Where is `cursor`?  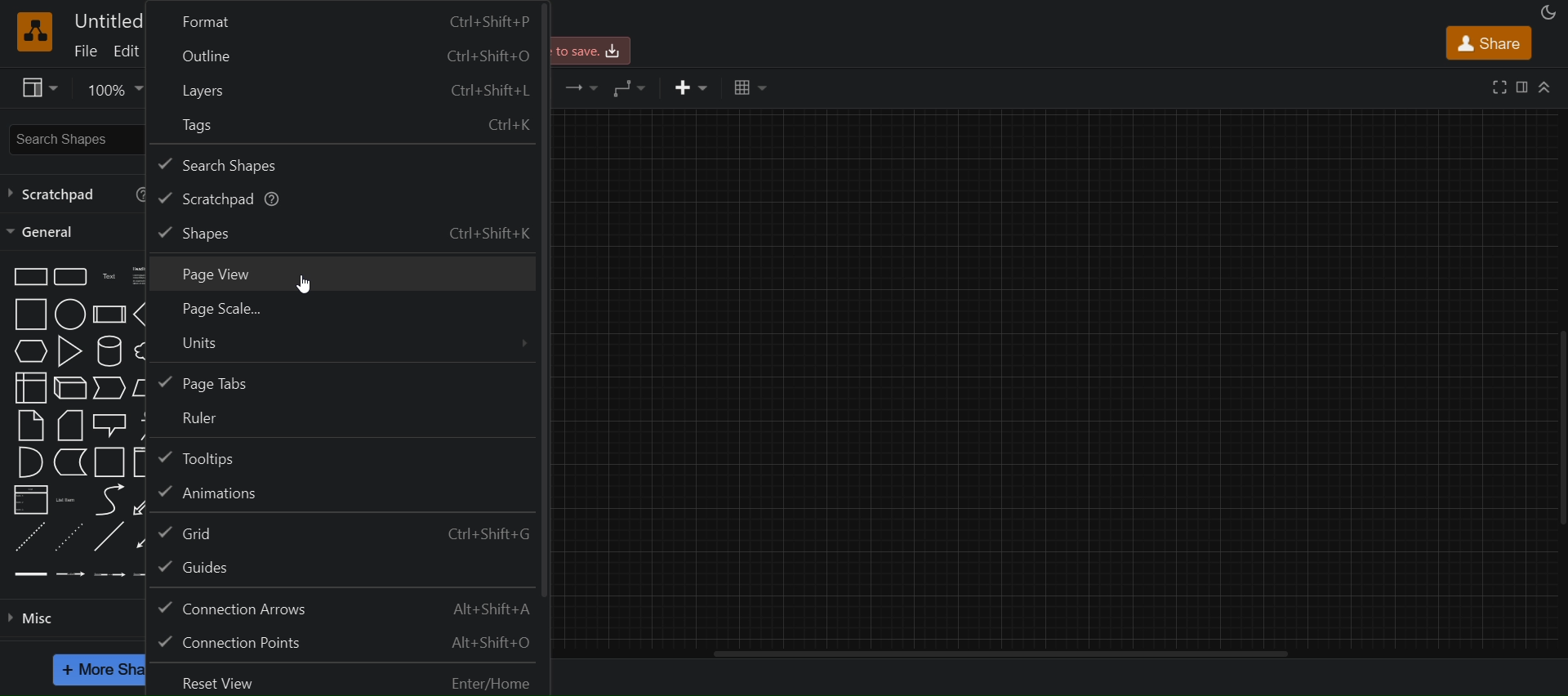 cursor is located at coordinates (304, 284).